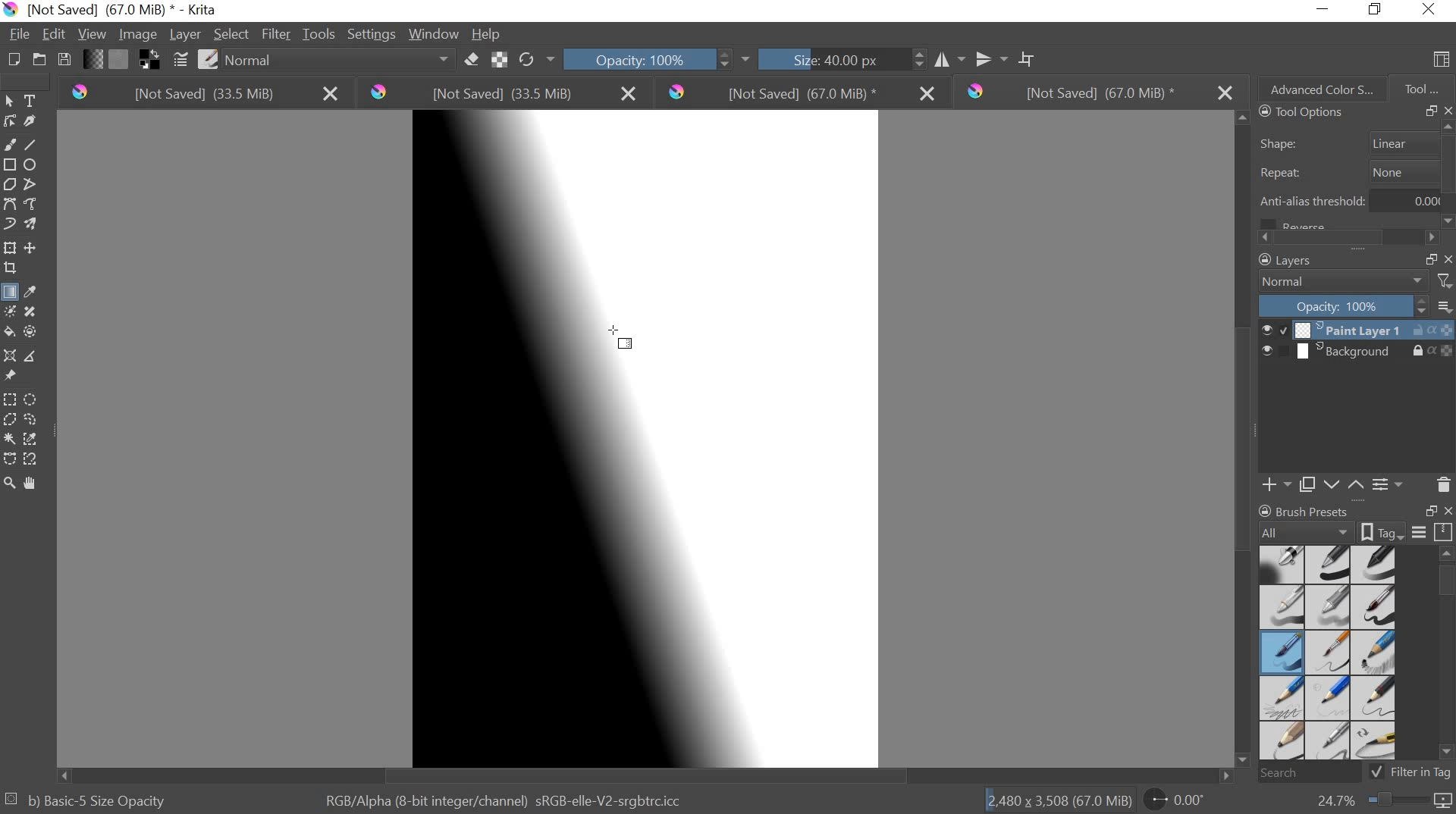  Describe the element at coordinates (9, 438) in the screenshot. I see `continuous selection` at that location.